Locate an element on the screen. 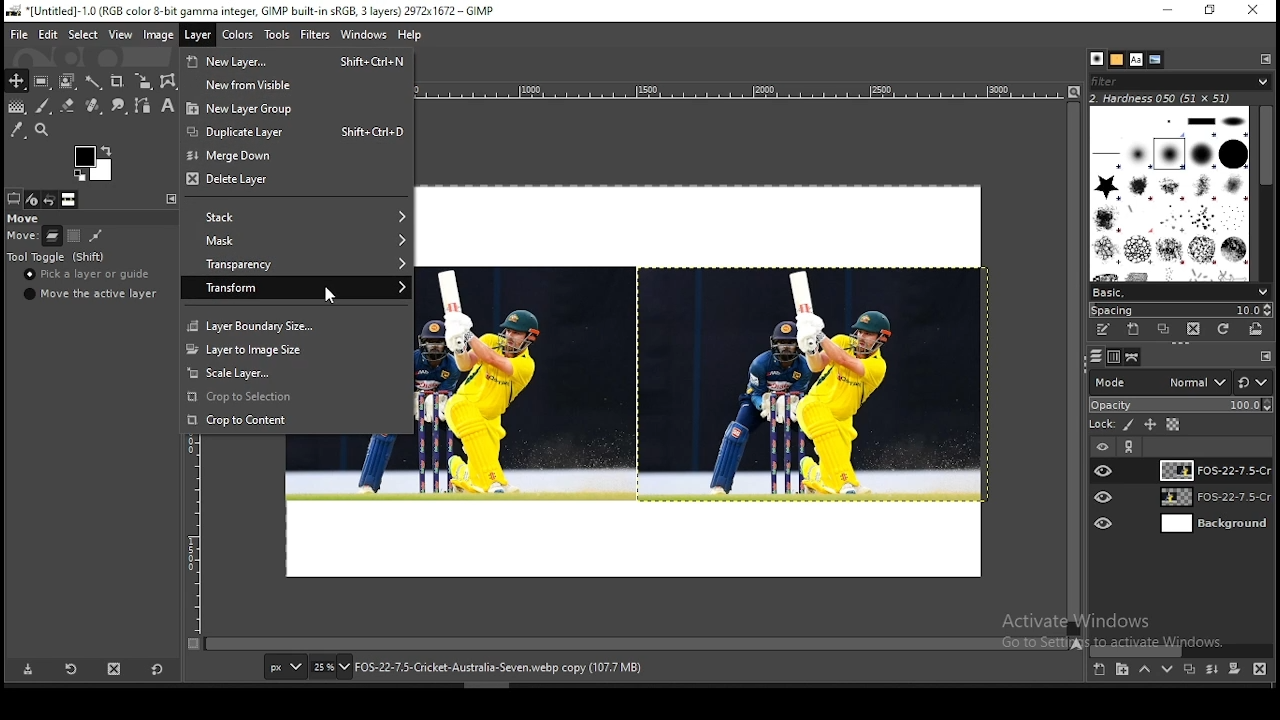 The height and width of the screenshot is (720, 1280). foreground select tool is located at coordinates (68, 79).